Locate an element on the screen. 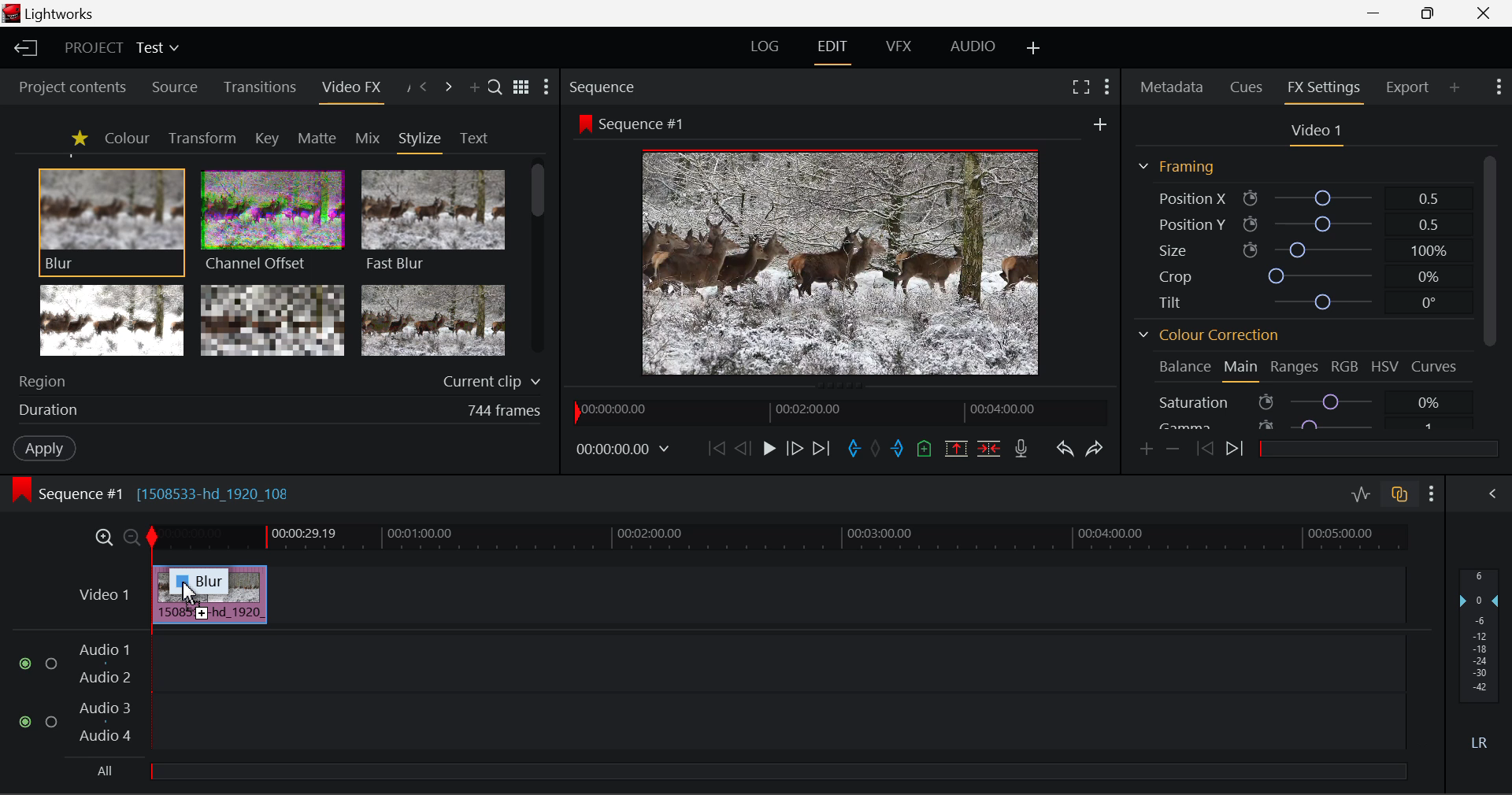 The image size is (1512, 795). Show Settings is located at coordinates (1107, 85).